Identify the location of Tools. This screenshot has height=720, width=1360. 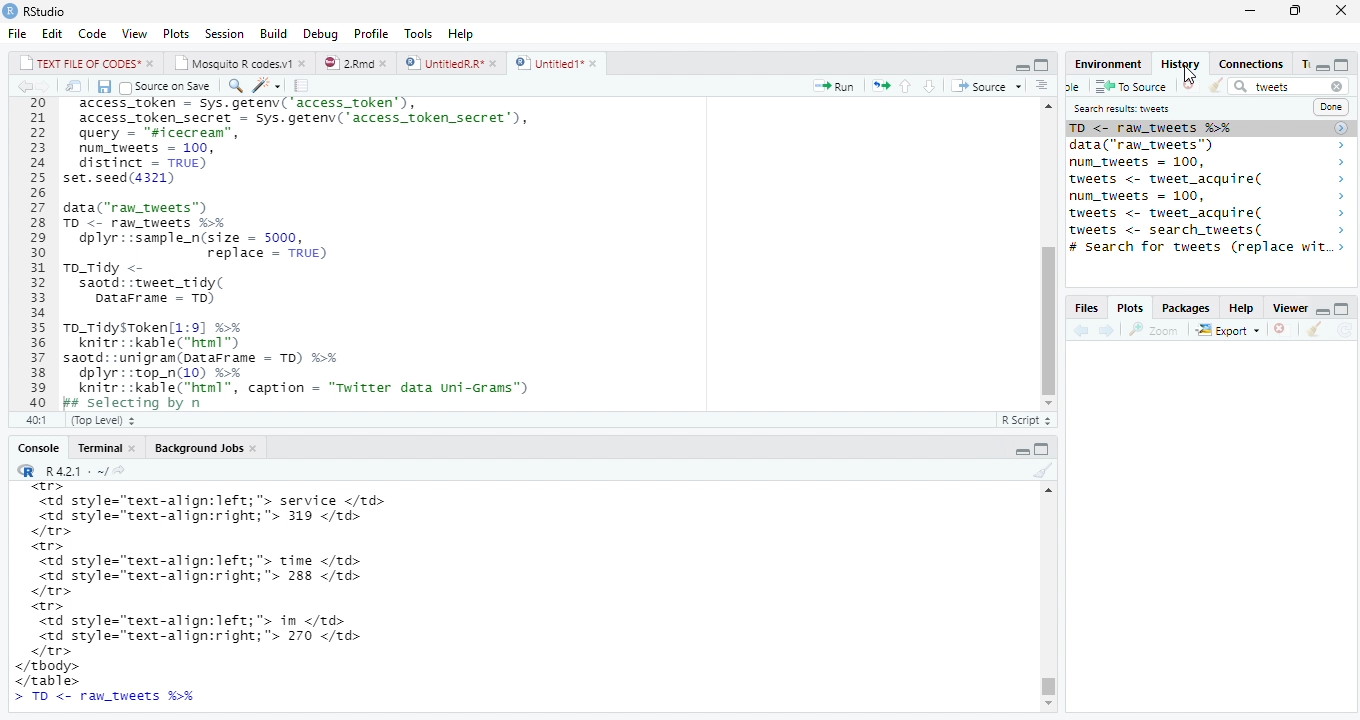
(416, 32).